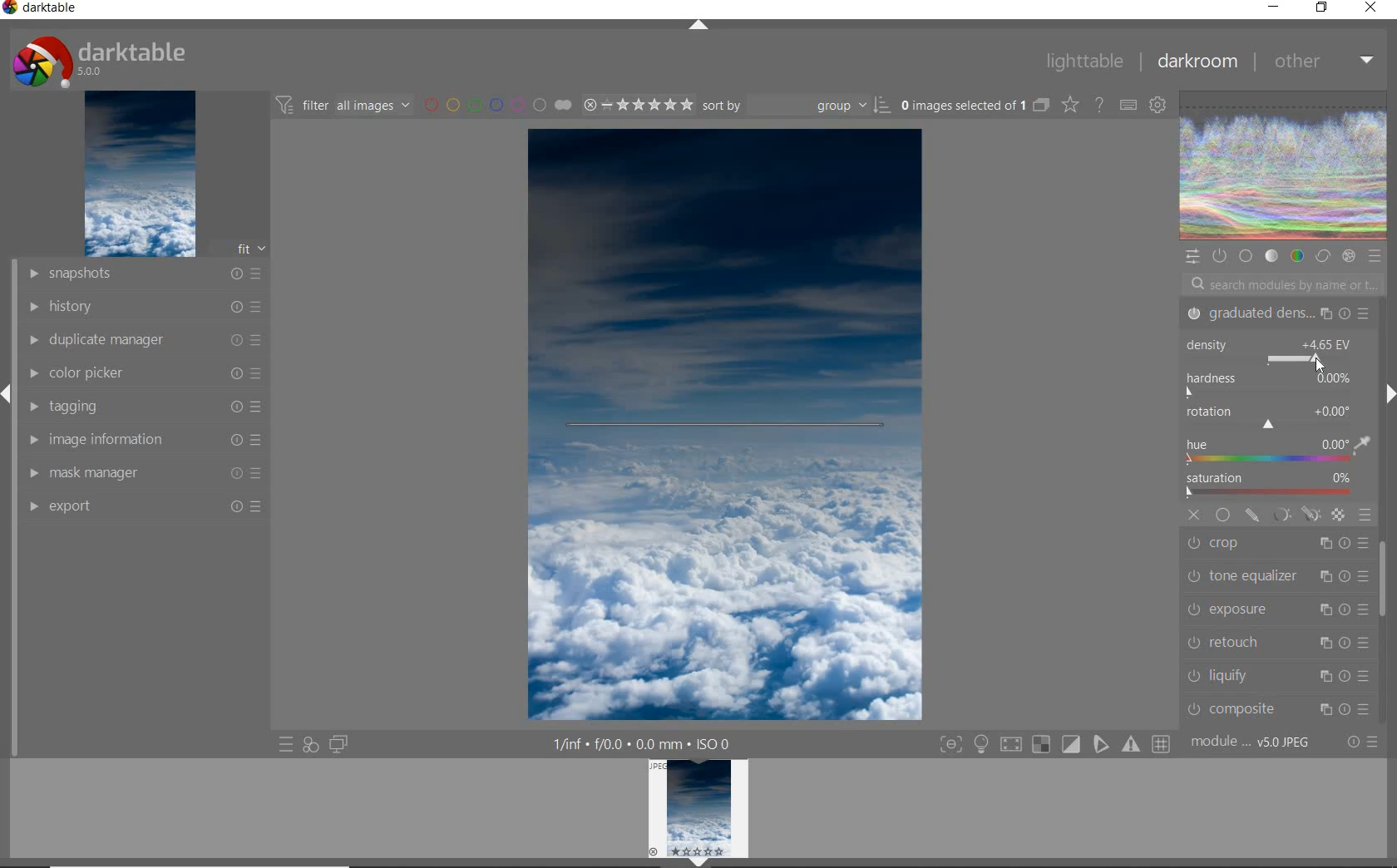 This screenshot has height=868, width=1397. I want to click on CLOSE, so click(1195, 515).